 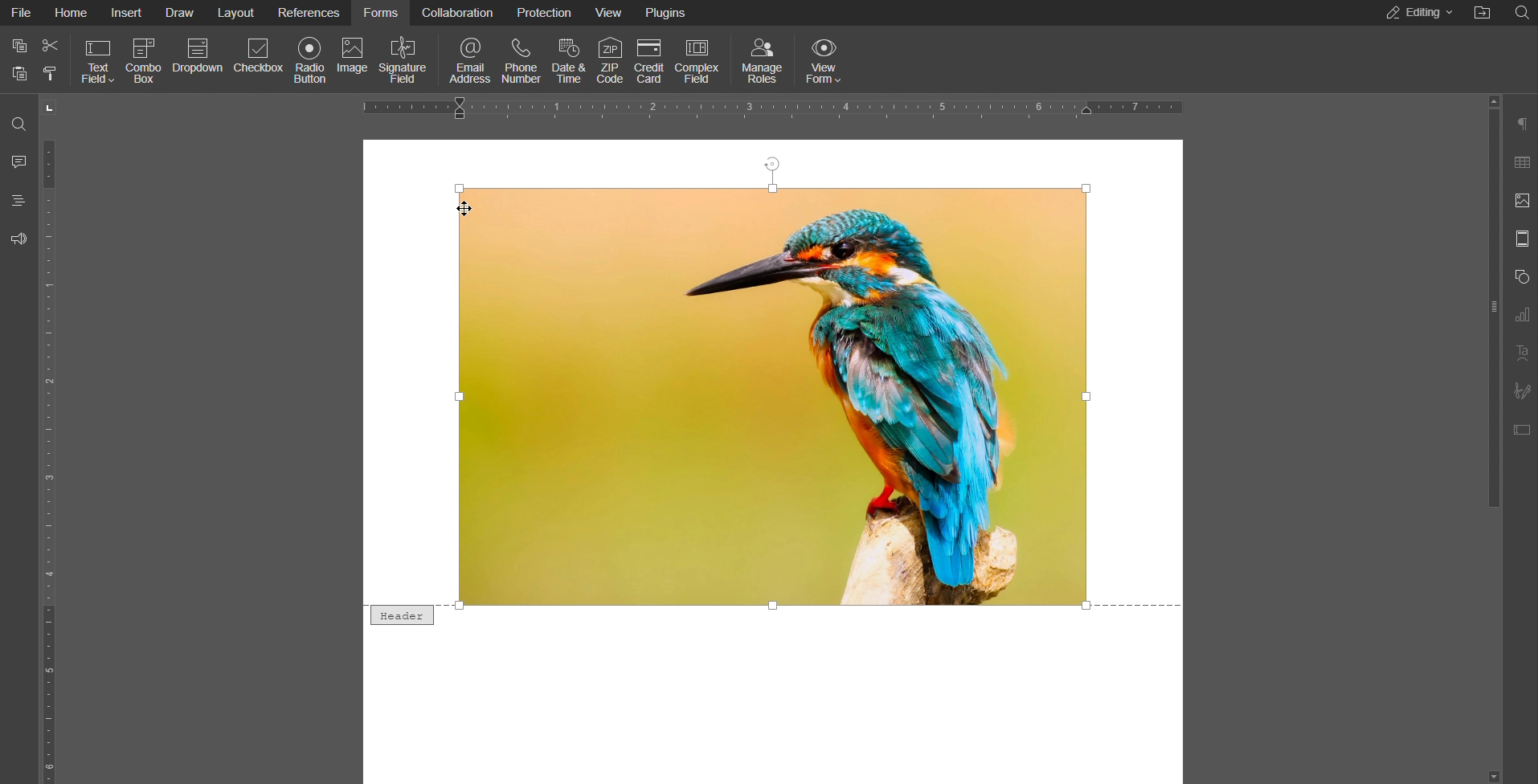 What do you see at coordinates (1520, 11) in the screenshot?
I see `Search` at bounding box center [1520, 11].